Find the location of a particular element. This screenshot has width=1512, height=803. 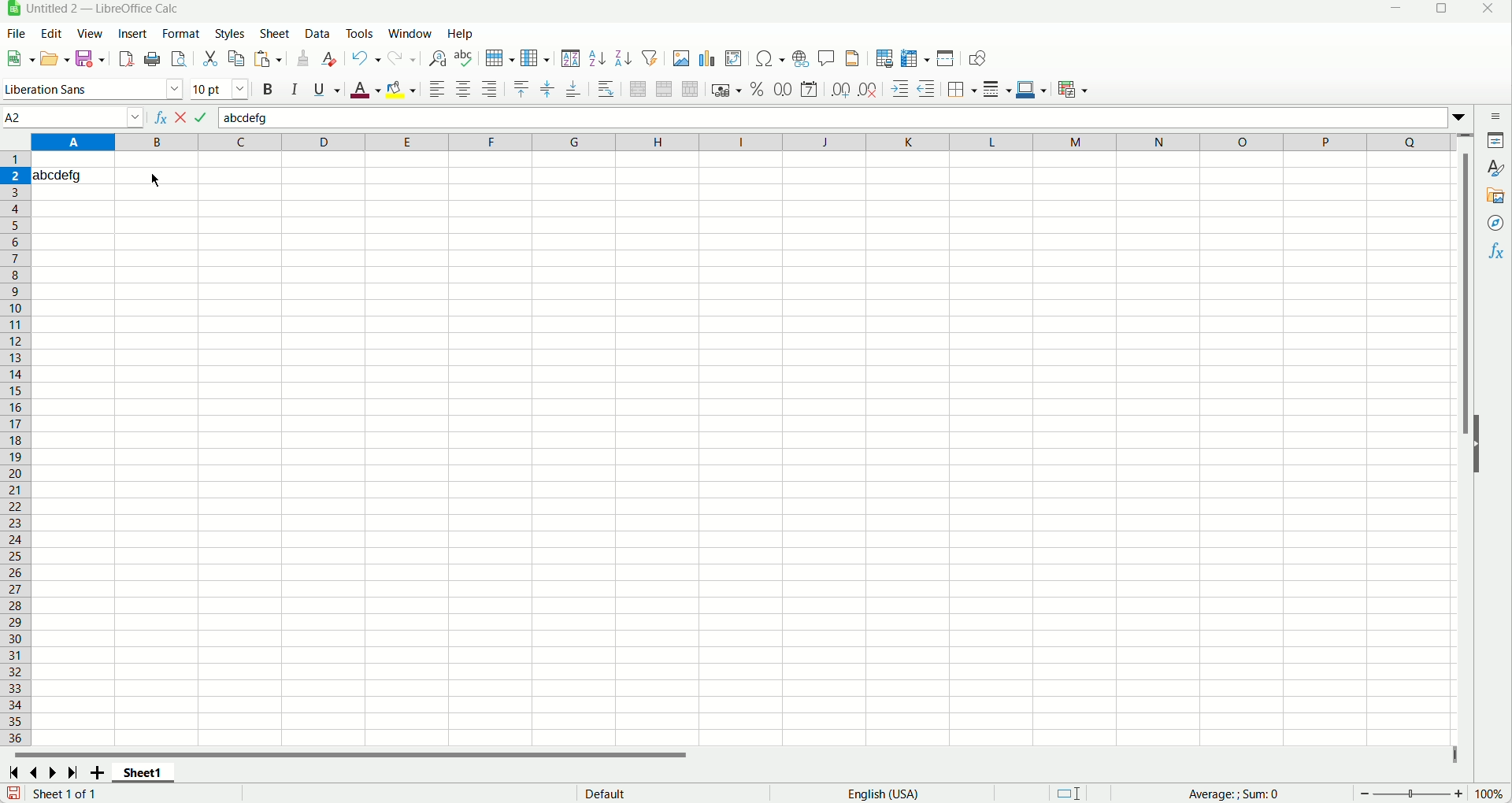

find and replace is located at coordinates (438, 58).